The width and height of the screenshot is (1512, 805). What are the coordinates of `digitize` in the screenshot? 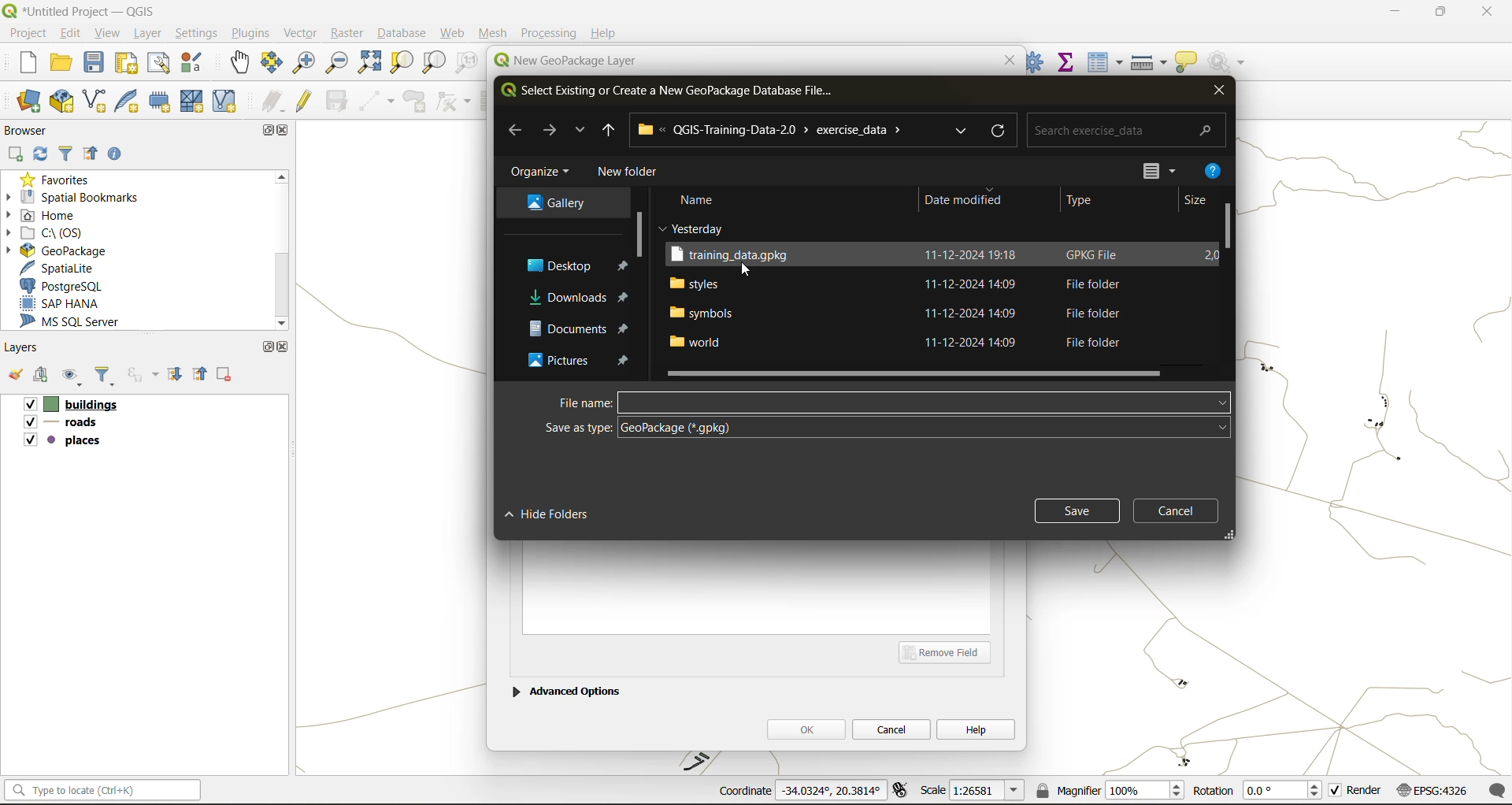 It's located at (378, 102).